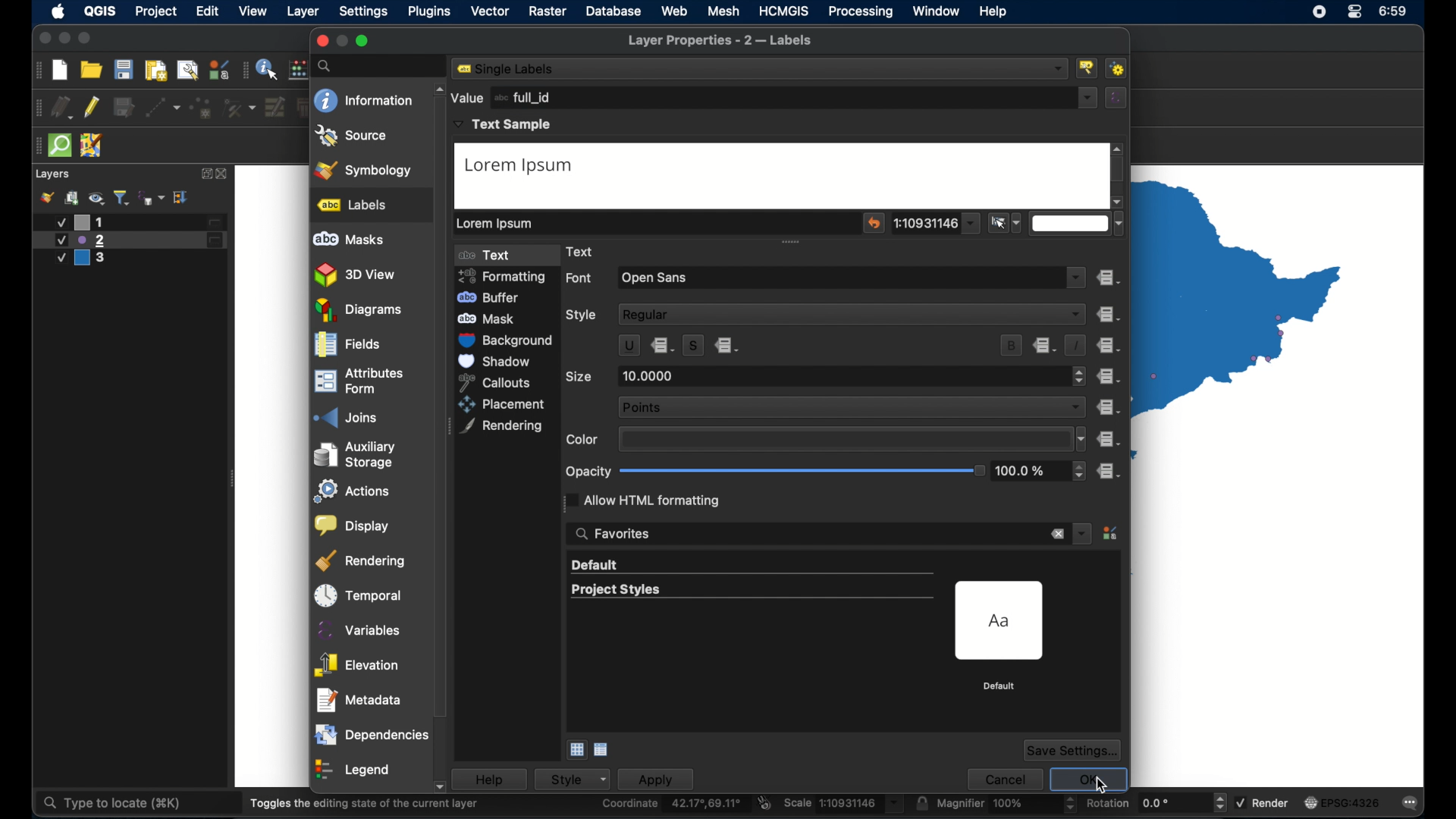  Describe the element at coordinates (61, 146) in the screenshot. I see `quick osm` at that location.